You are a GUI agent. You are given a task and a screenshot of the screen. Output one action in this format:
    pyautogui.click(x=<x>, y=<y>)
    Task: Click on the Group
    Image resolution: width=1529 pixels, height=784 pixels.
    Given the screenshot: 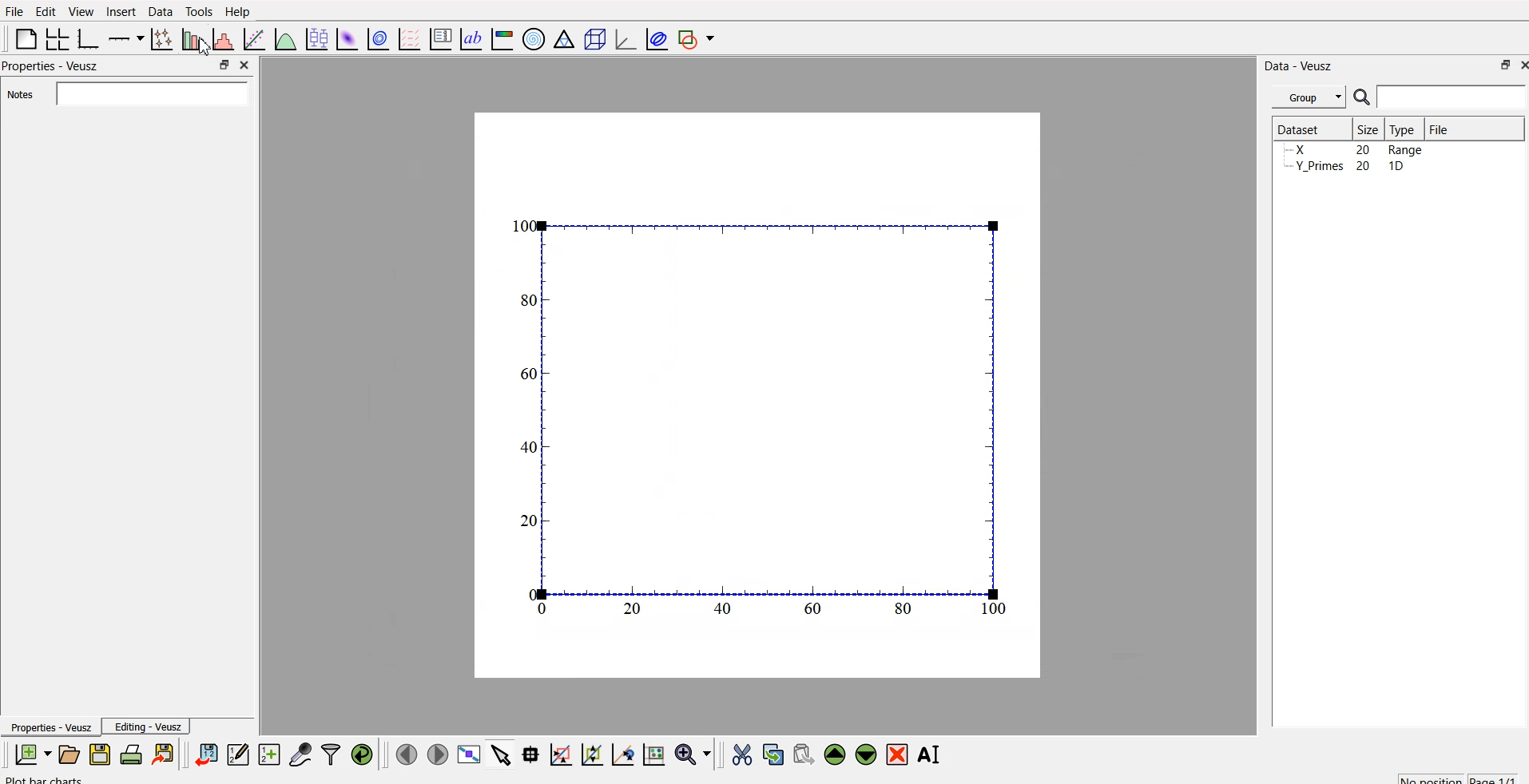 What is the action you would take?
    pyautogui.click(x=1311, y=95)
    